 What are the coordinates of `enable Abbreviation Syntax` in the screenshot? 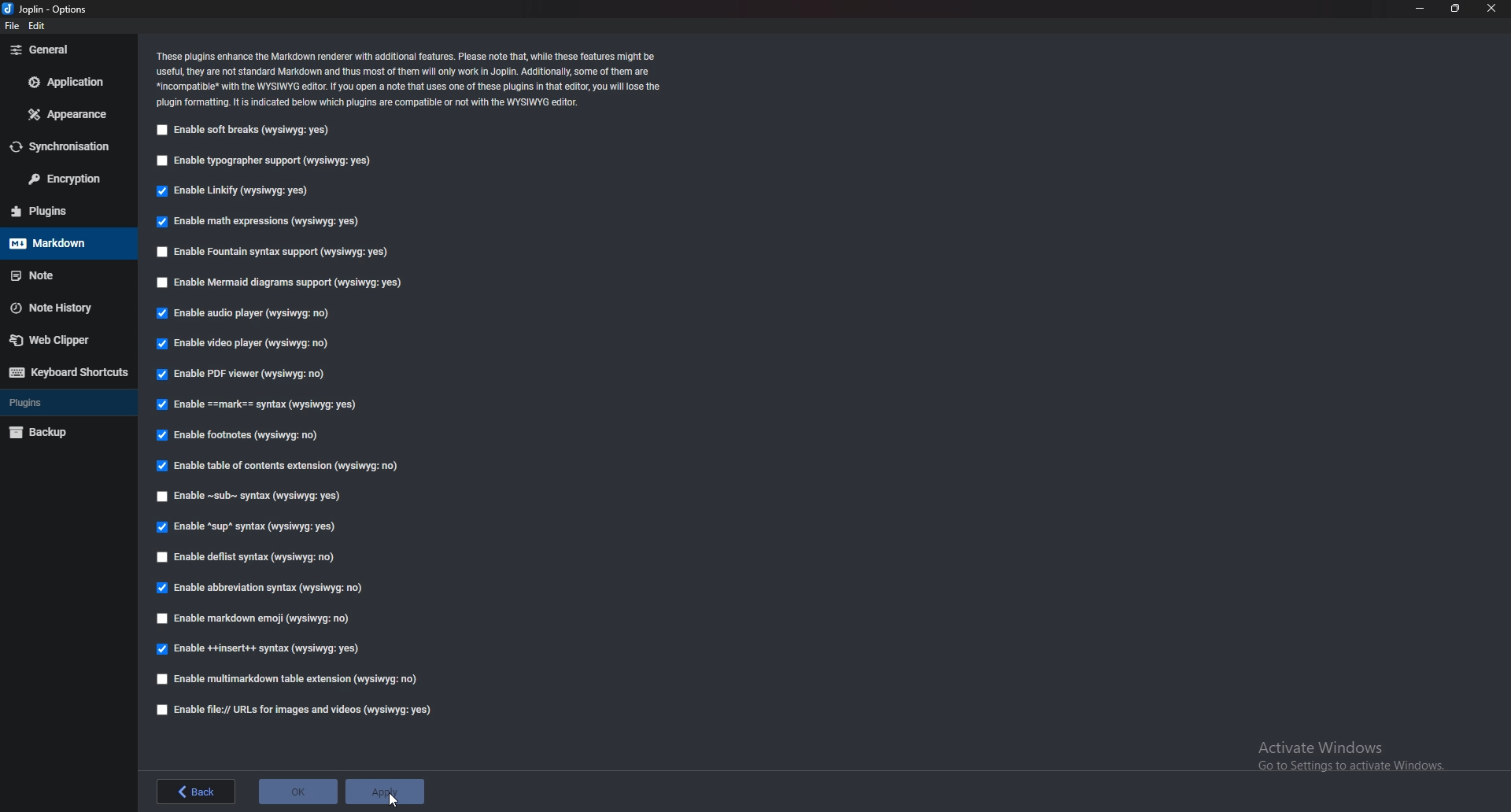 It's located at (263, 589).